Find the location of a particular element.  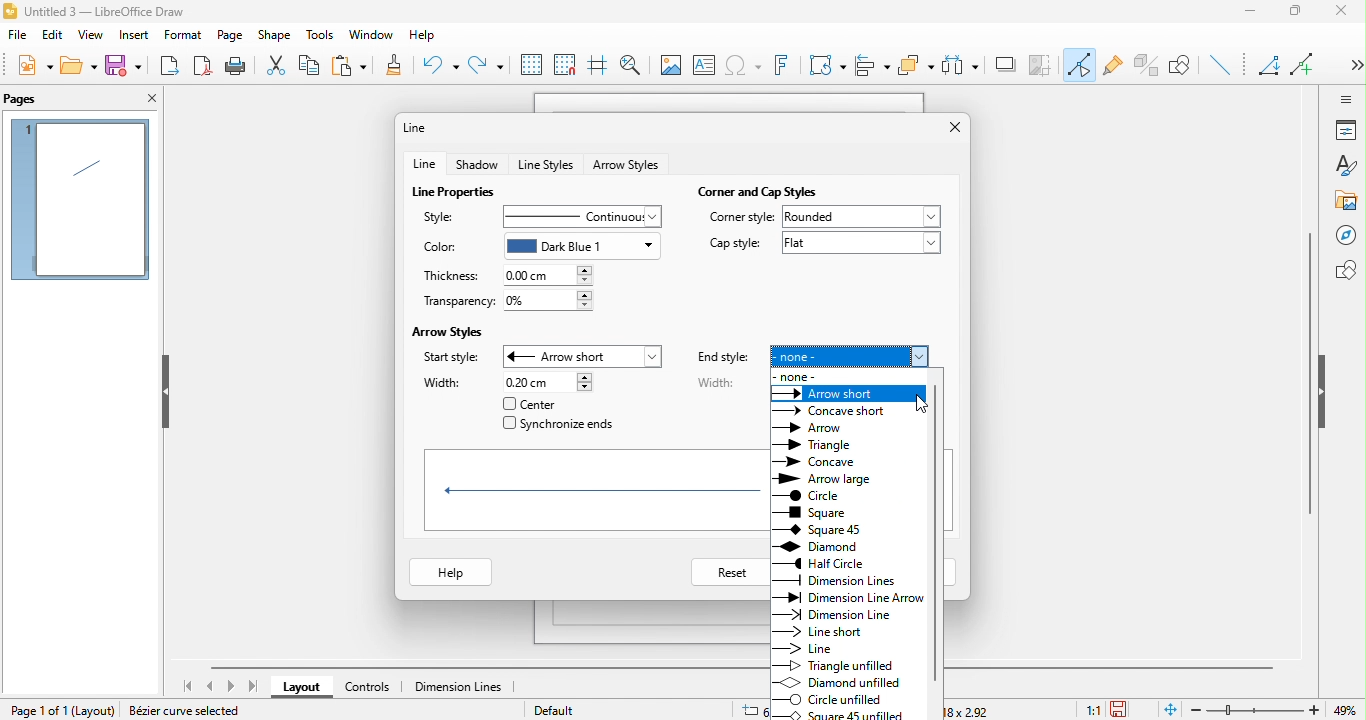

shapes is located at coordinates (1345, 270).